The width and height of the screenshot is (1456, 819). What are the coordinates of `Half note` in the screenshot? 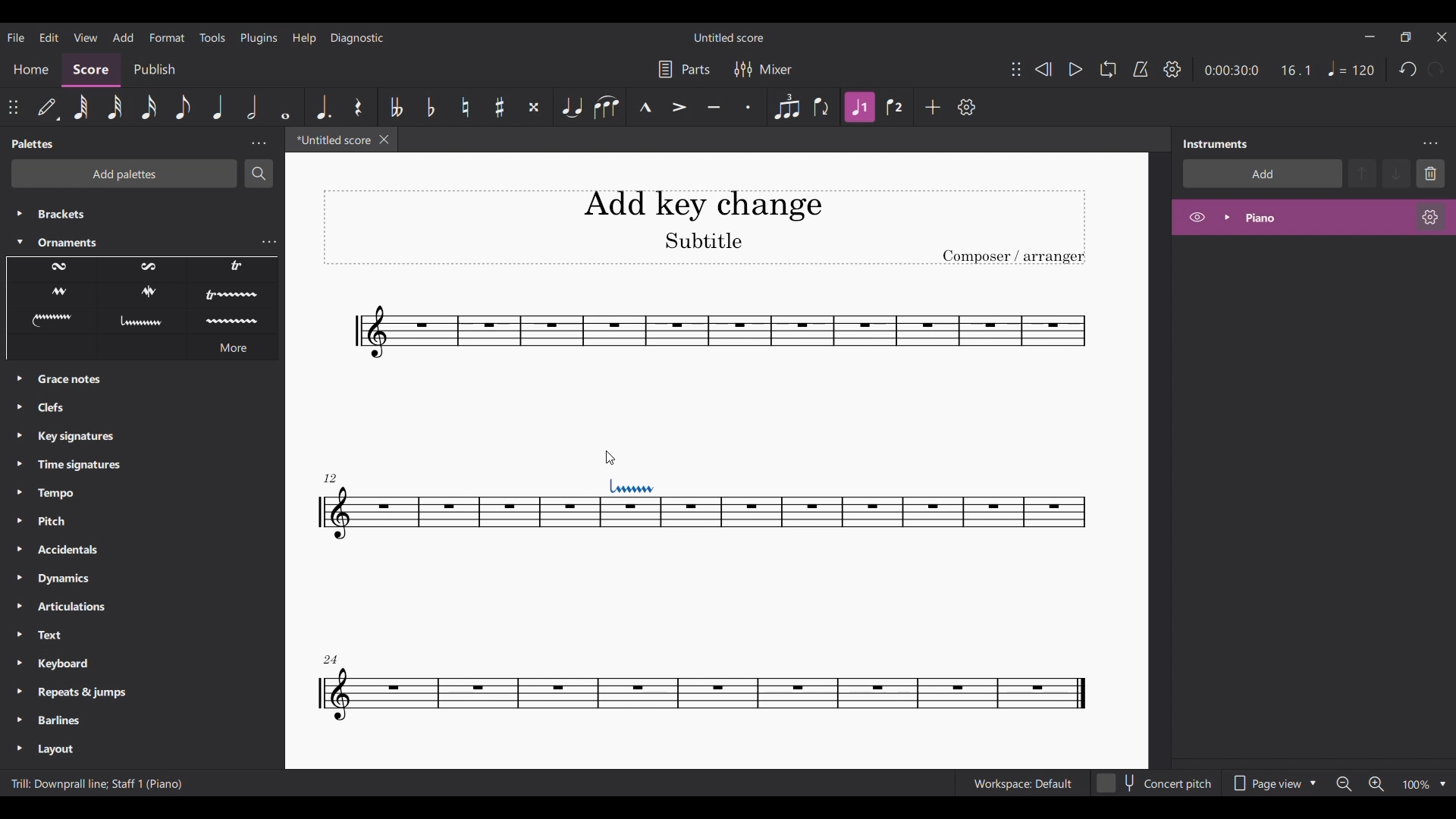 It's located at (253, 106).